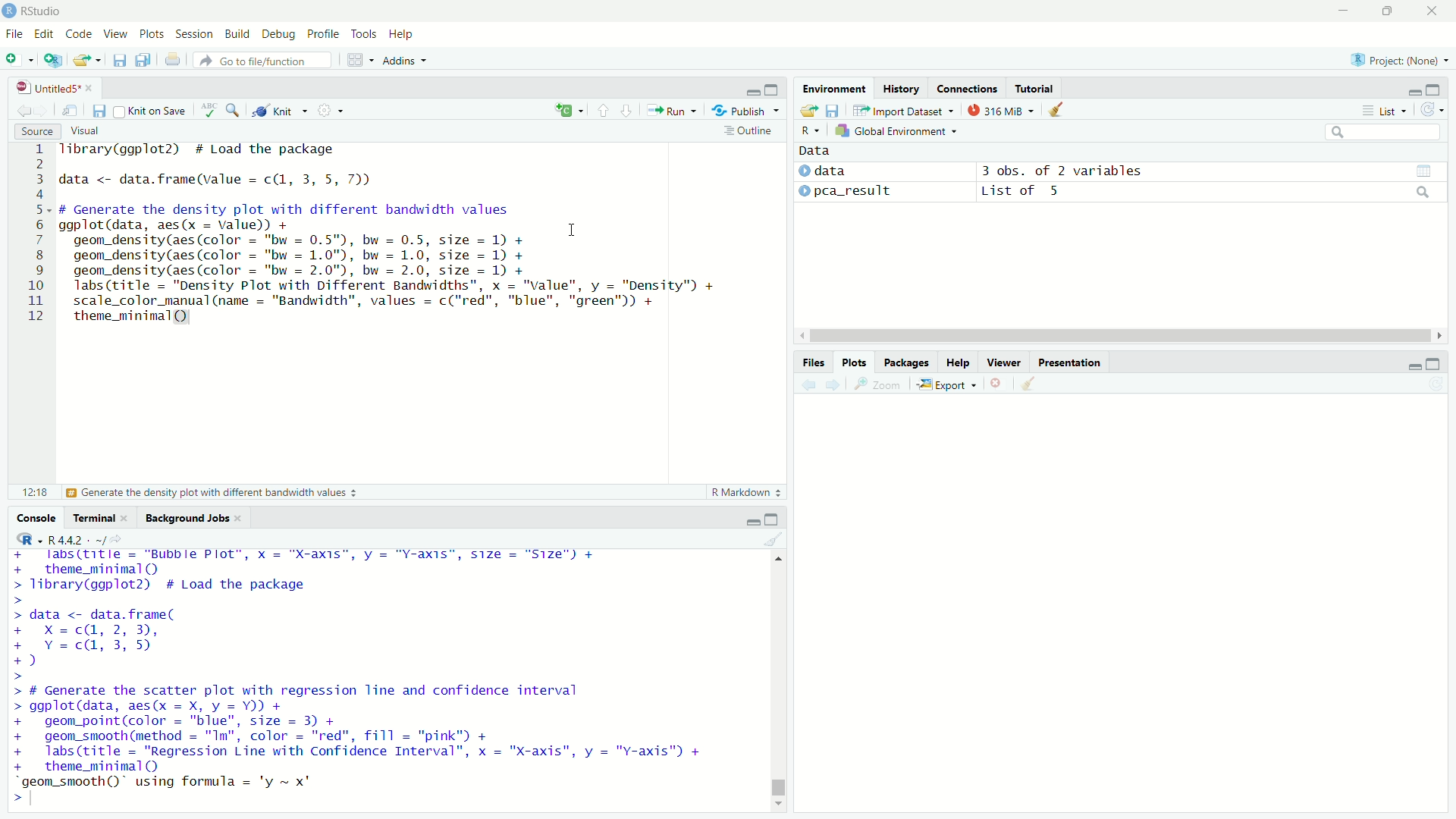 The height and width of the screenshot is (819, 1456). I want to click on Generate the density plot with different bandwidth values, so click(210, 493).